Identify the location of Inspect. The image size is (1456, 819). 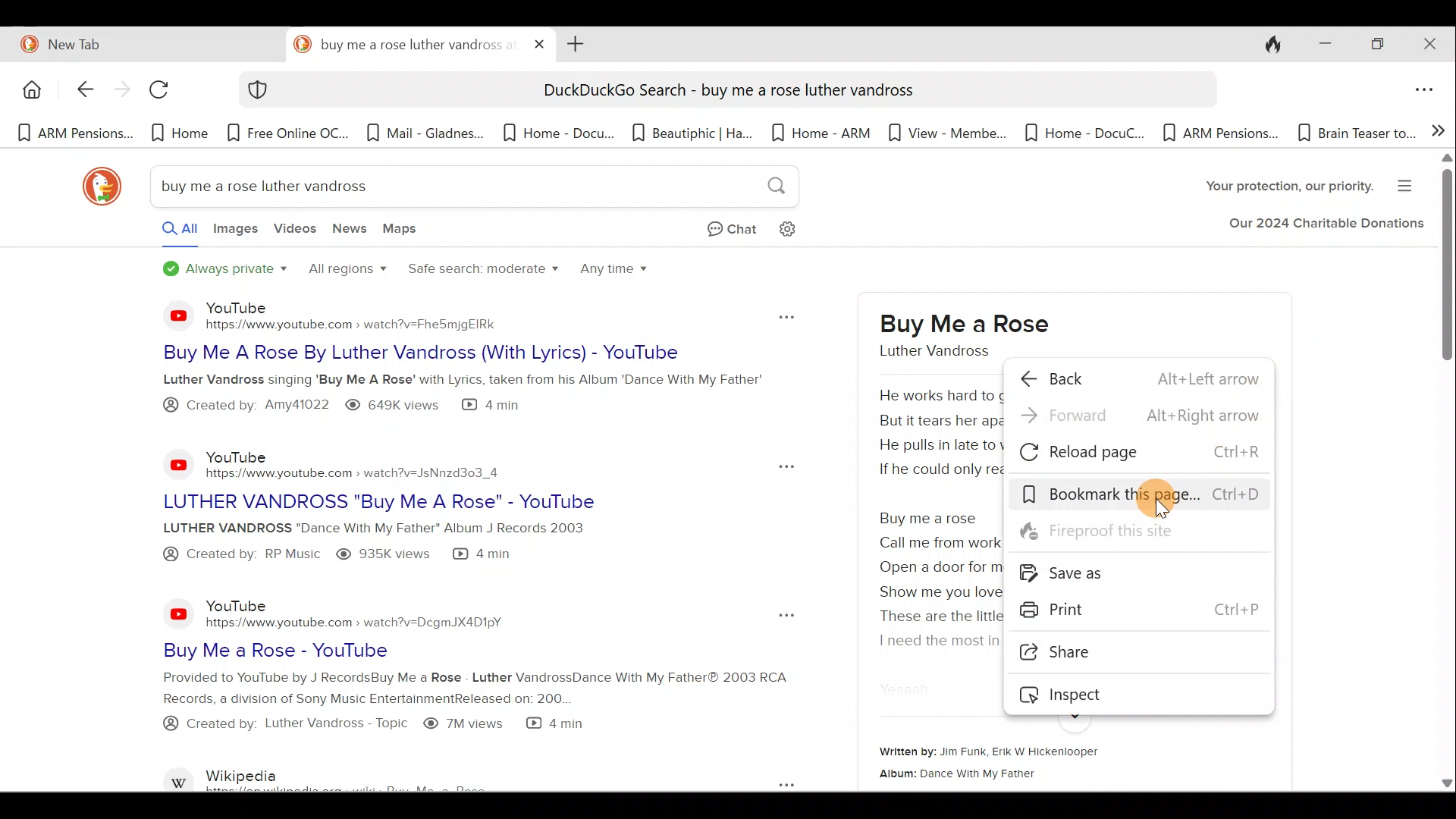
(1136, 693).